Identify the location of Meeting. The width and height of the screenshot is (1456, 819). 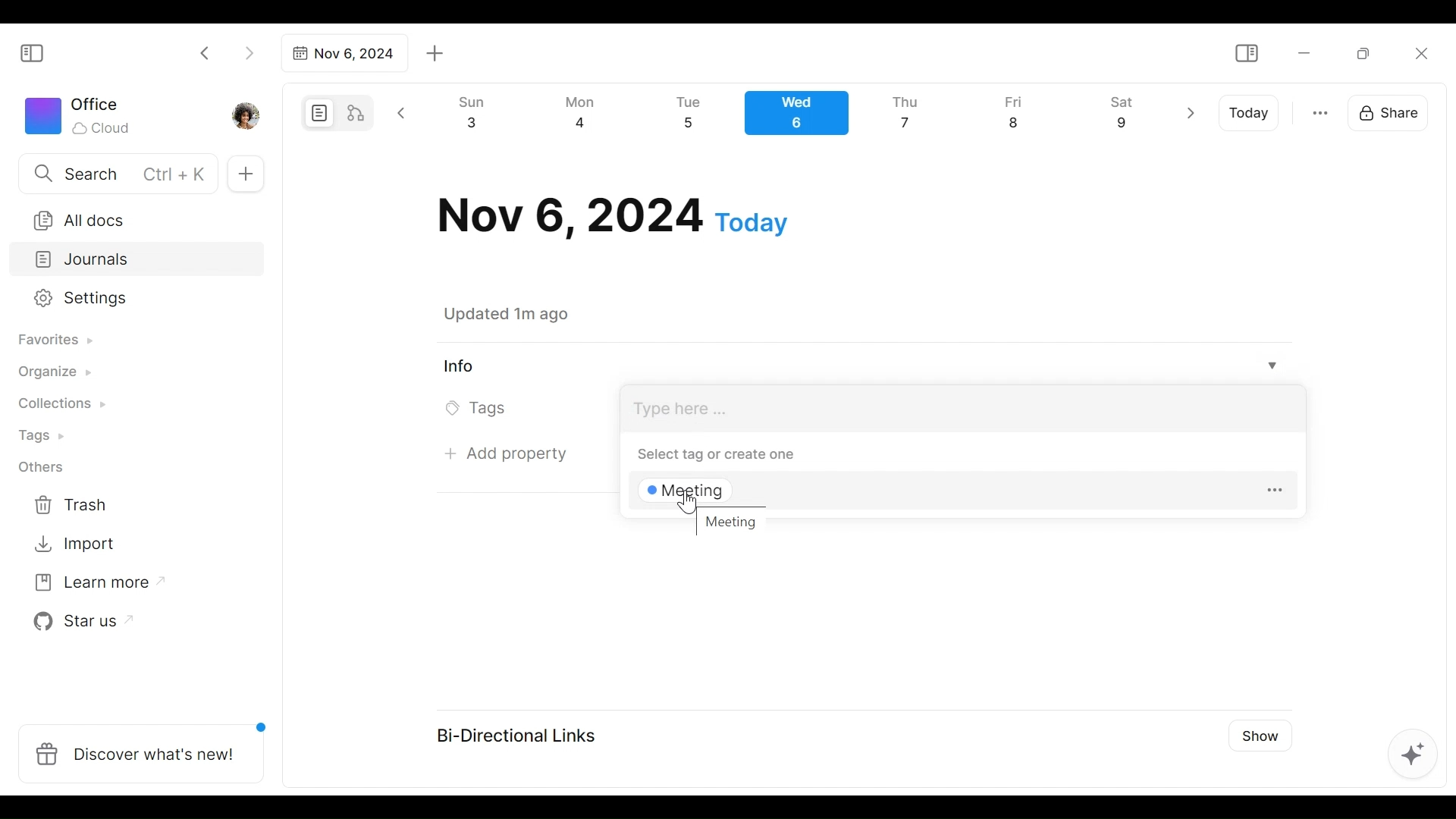
(732, 522).